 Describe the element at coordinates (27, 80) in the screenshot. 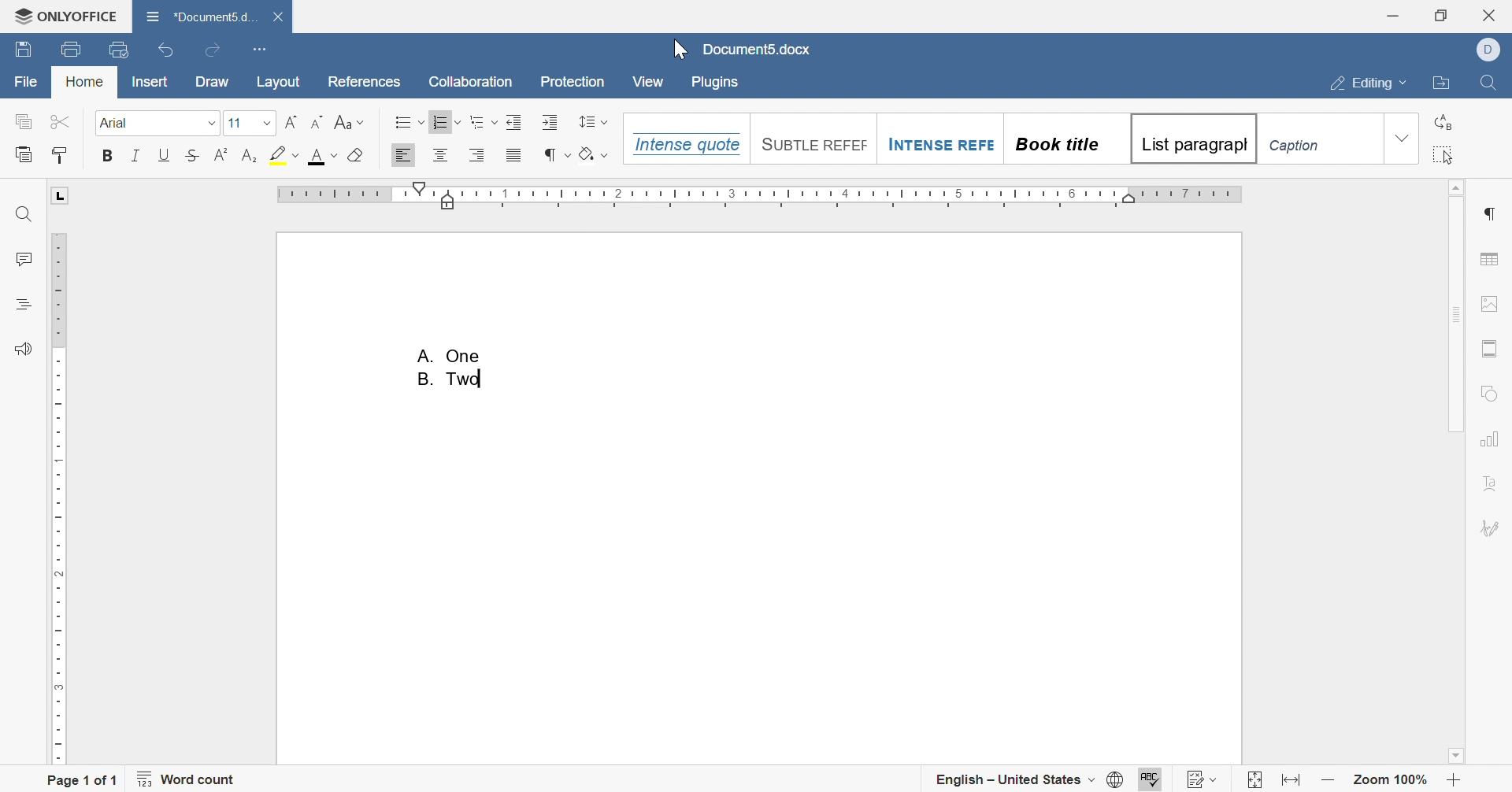

I see `file` at that location.